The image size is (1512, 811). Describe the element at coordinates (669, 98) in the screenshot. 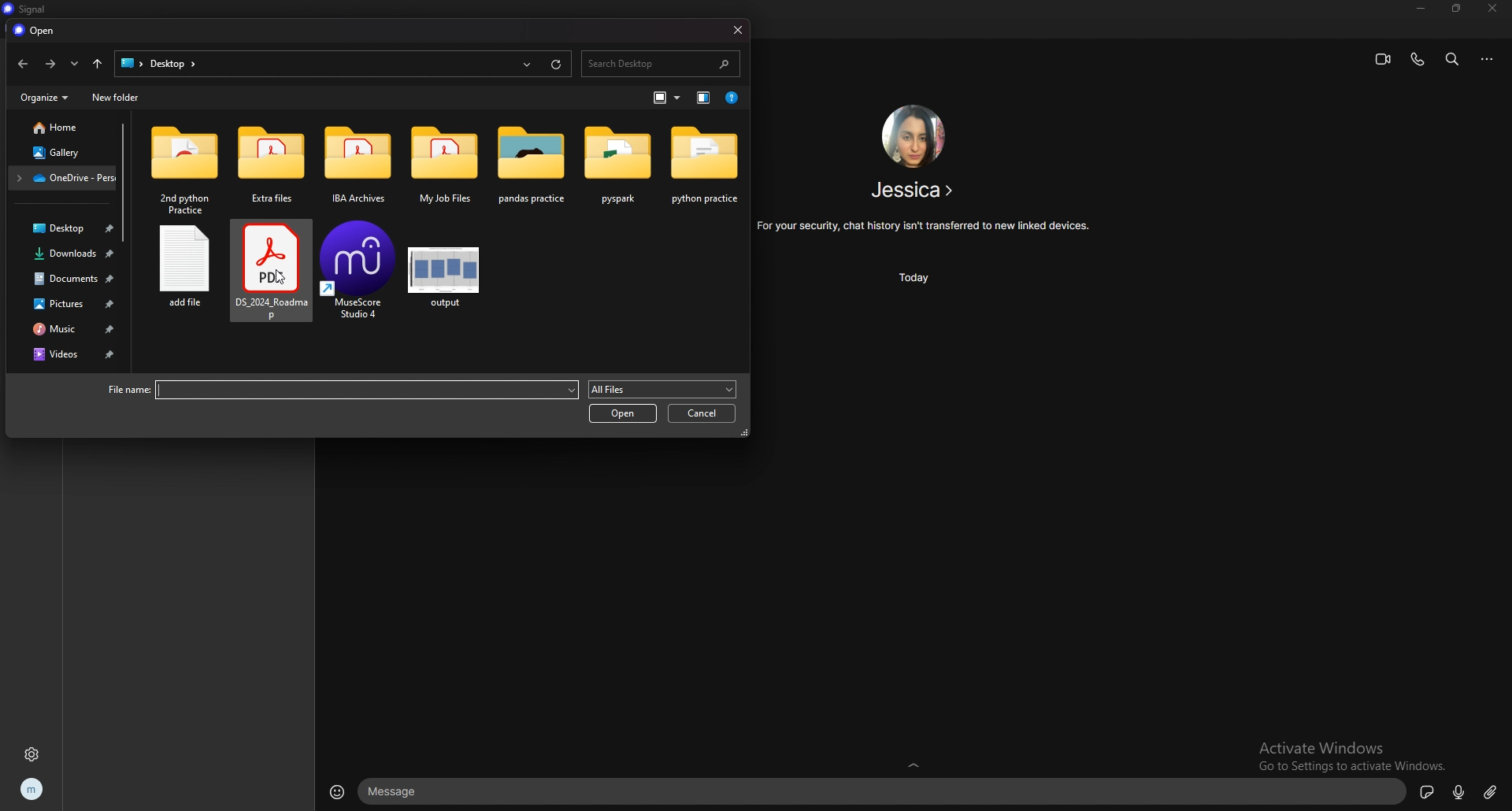

I see `change view` at that location.